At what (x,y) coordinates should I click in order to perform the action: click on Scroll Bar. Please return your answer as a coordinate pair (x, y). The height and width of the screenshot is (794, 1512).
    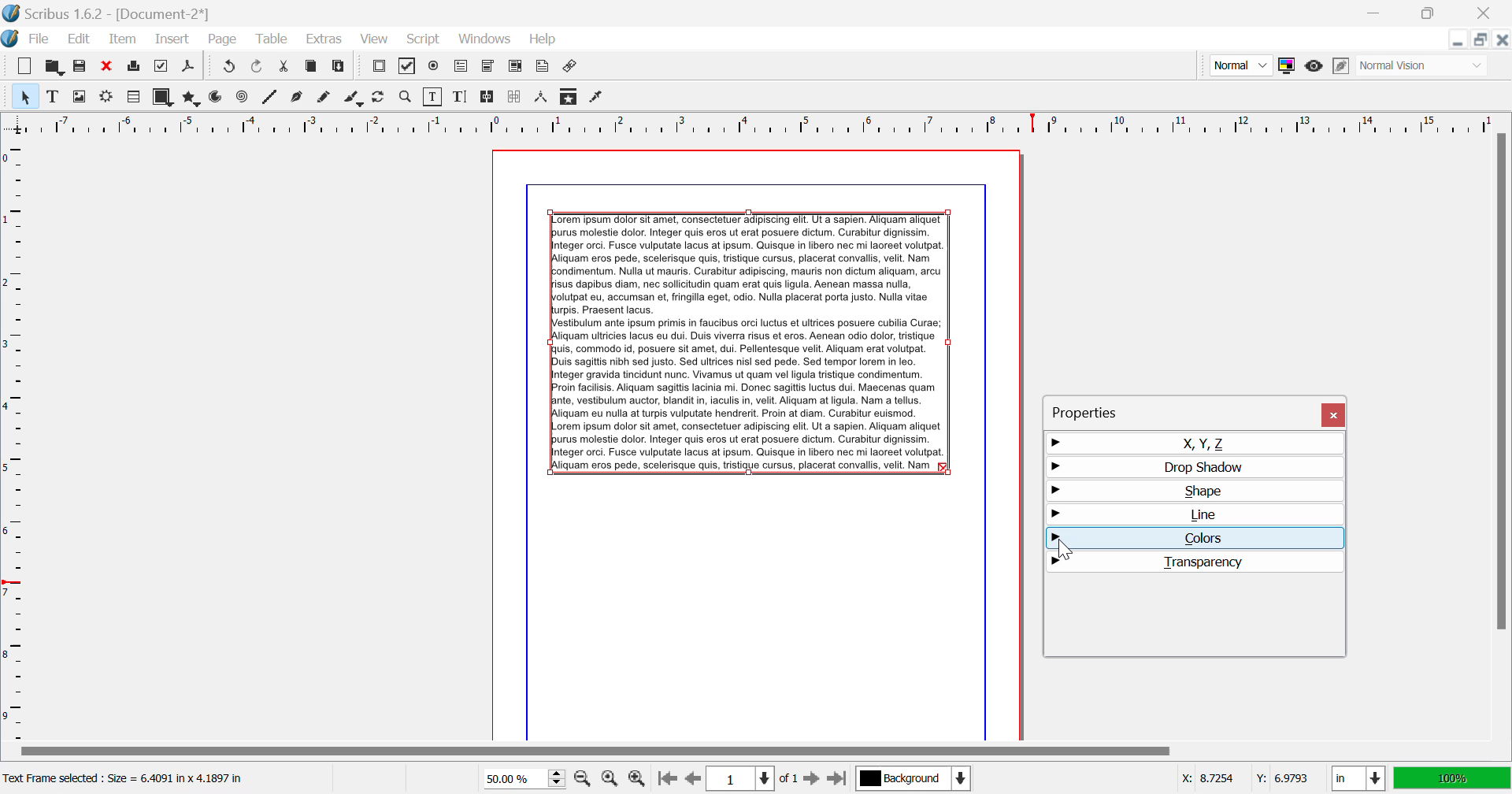
    Looking at the image, I should click on (1502, 435).